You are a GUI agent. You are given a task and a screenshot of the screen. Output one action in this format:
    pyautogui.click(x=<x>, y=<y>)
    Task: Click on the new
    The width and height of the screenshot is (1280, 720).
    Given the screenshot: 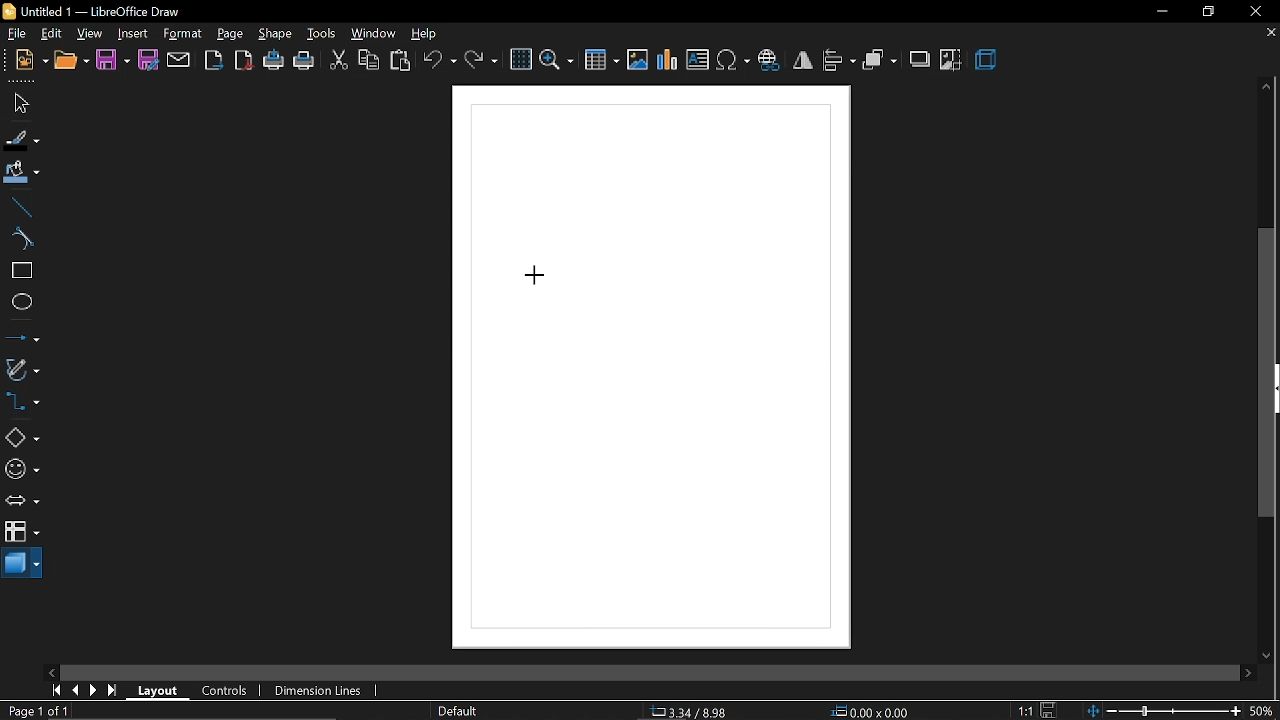 What is the action you would take?
    pyautogui.click(x=30, y=61)
    